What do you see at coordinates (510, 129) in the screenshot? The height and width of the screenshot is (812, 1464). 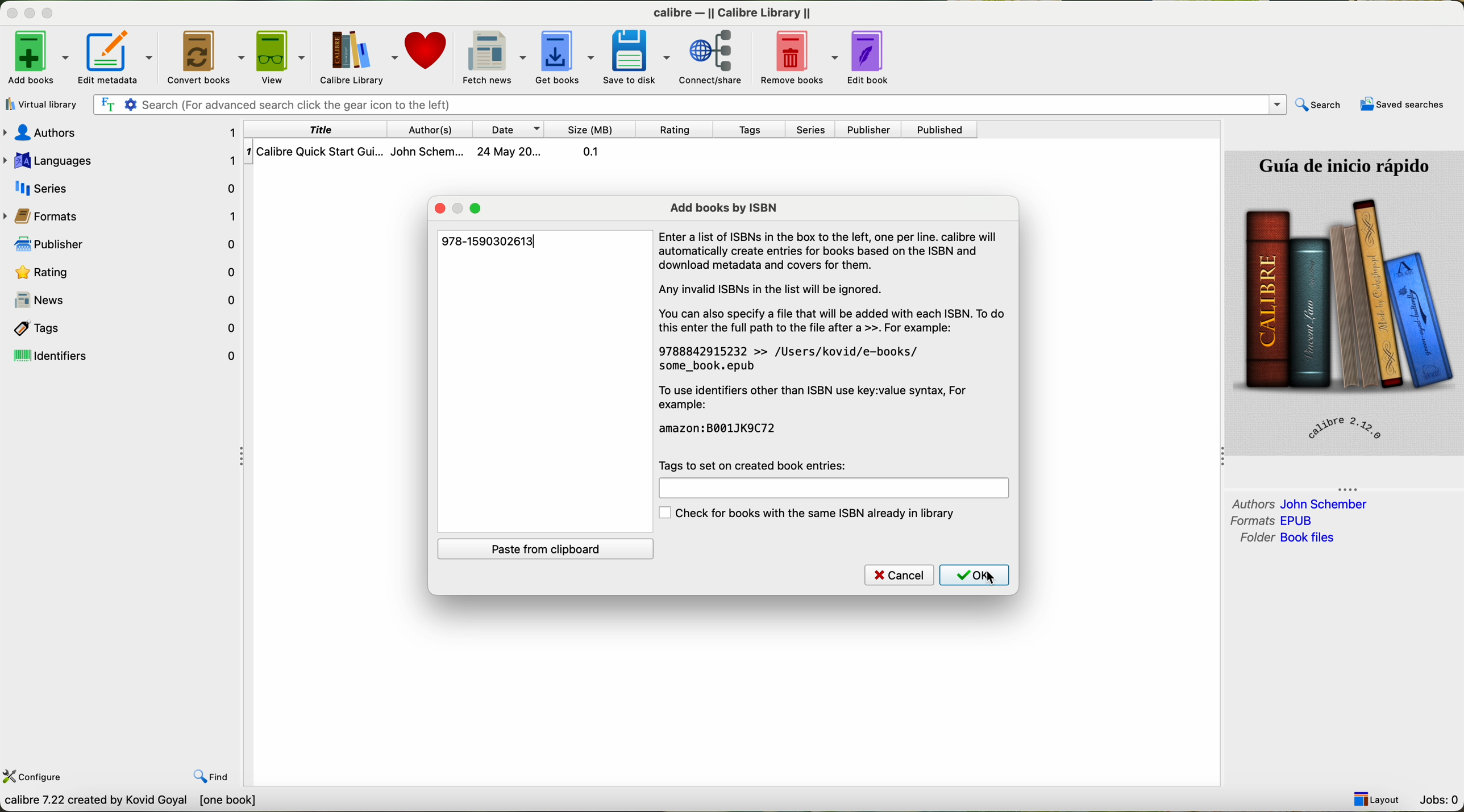 I see `date` at bounding box center [510, 129].